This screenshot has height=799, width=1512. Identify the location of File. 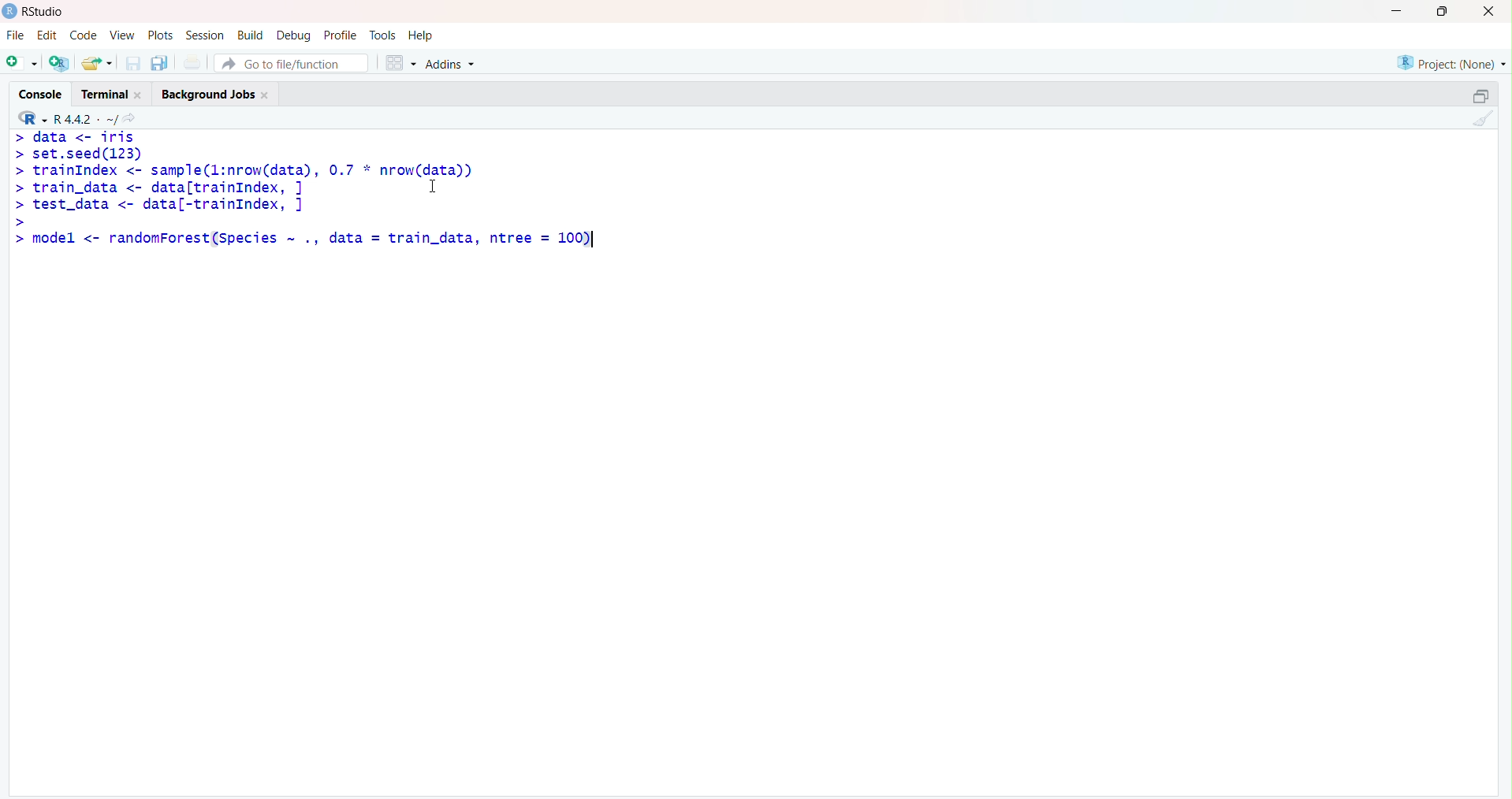
(15, 35).